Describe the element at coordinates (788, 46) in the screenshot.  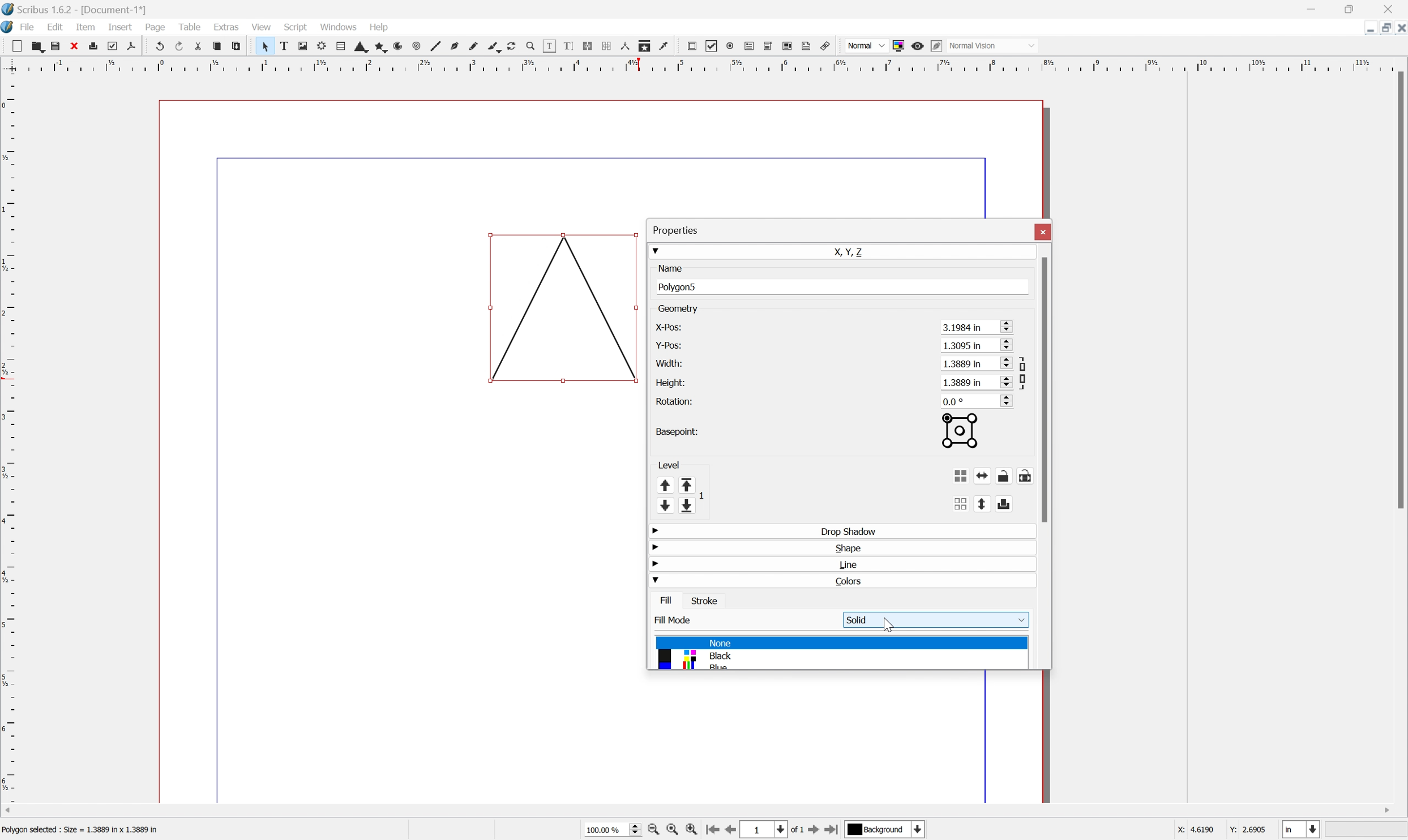
I see `PDF list box` at that location.